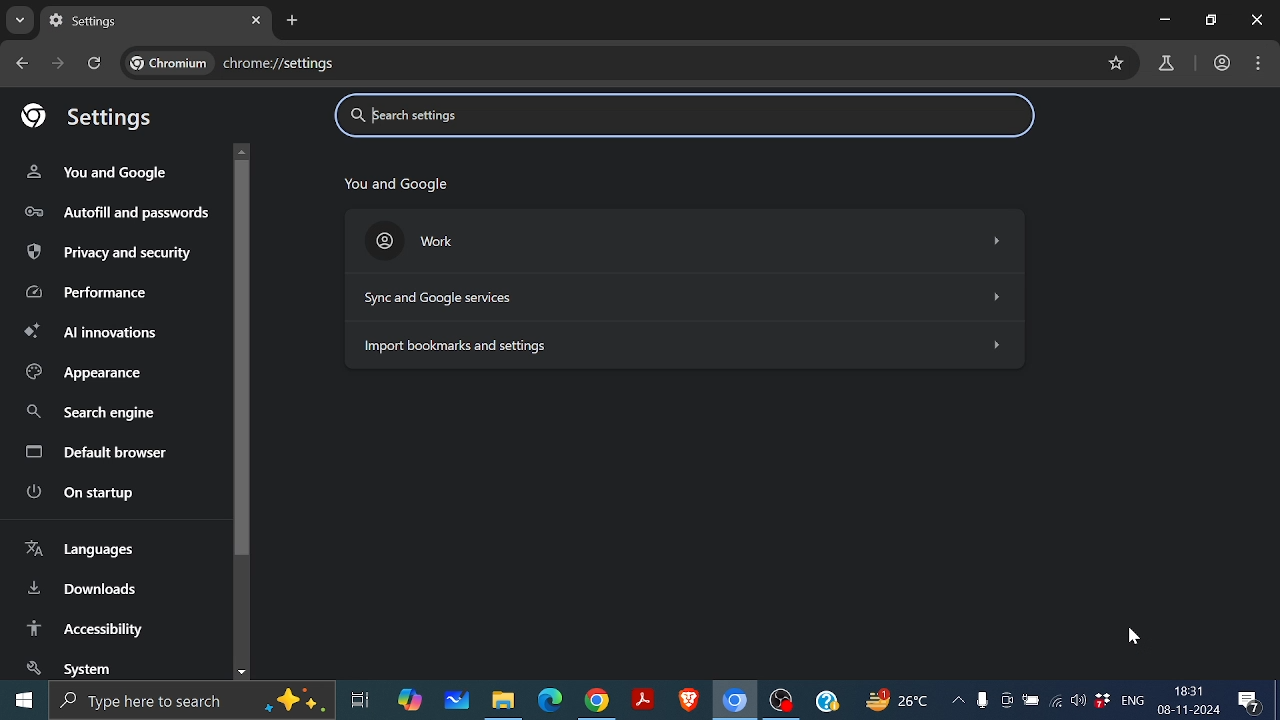 This screenshot has width=1280, height=720. Describe the element at coordinates (92, 374) in the screenshot. I see `Appearence` at that location.